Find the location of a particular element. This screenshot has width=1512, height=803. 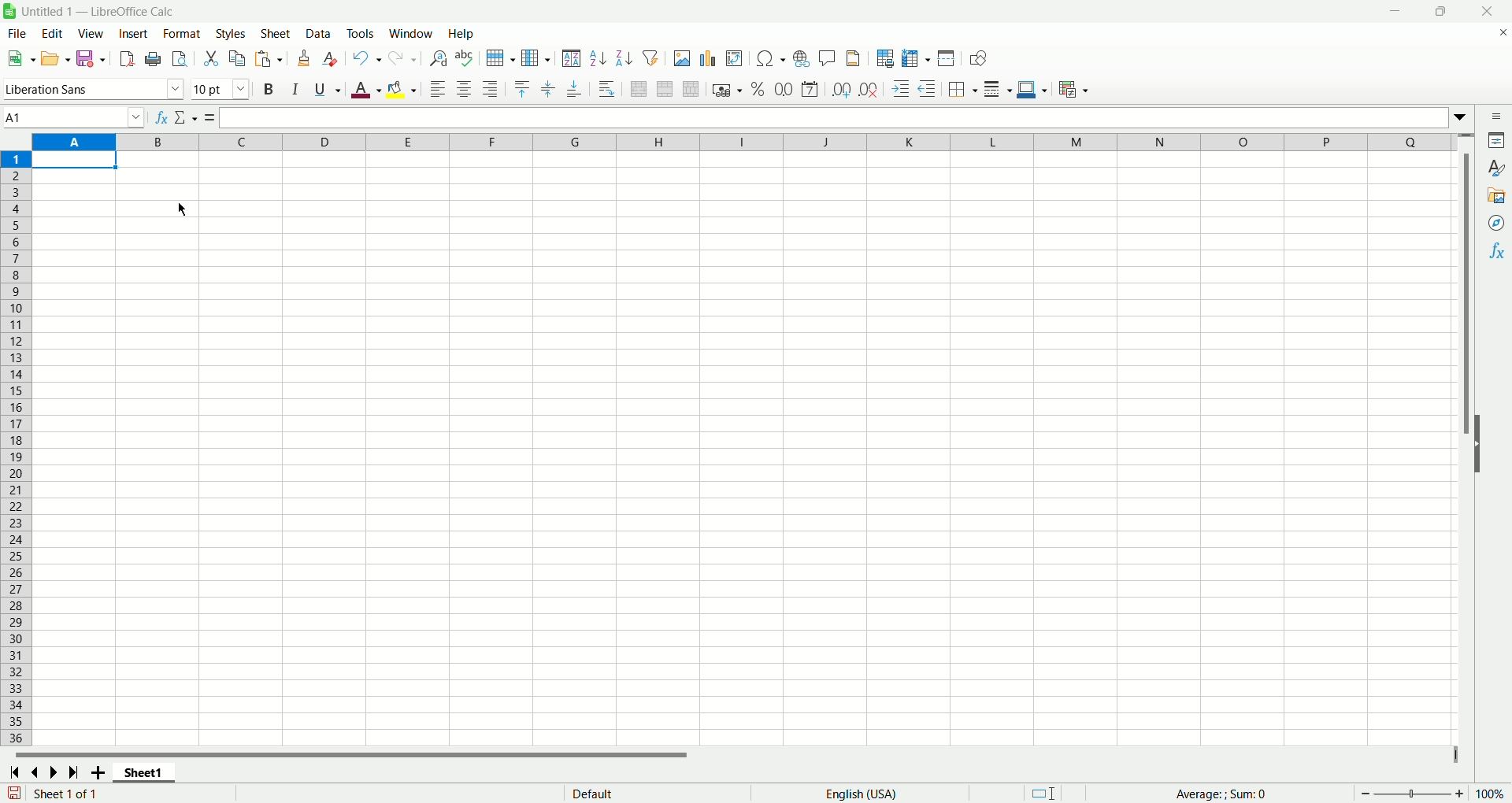

autofilter is located at coordinates (654, 58).